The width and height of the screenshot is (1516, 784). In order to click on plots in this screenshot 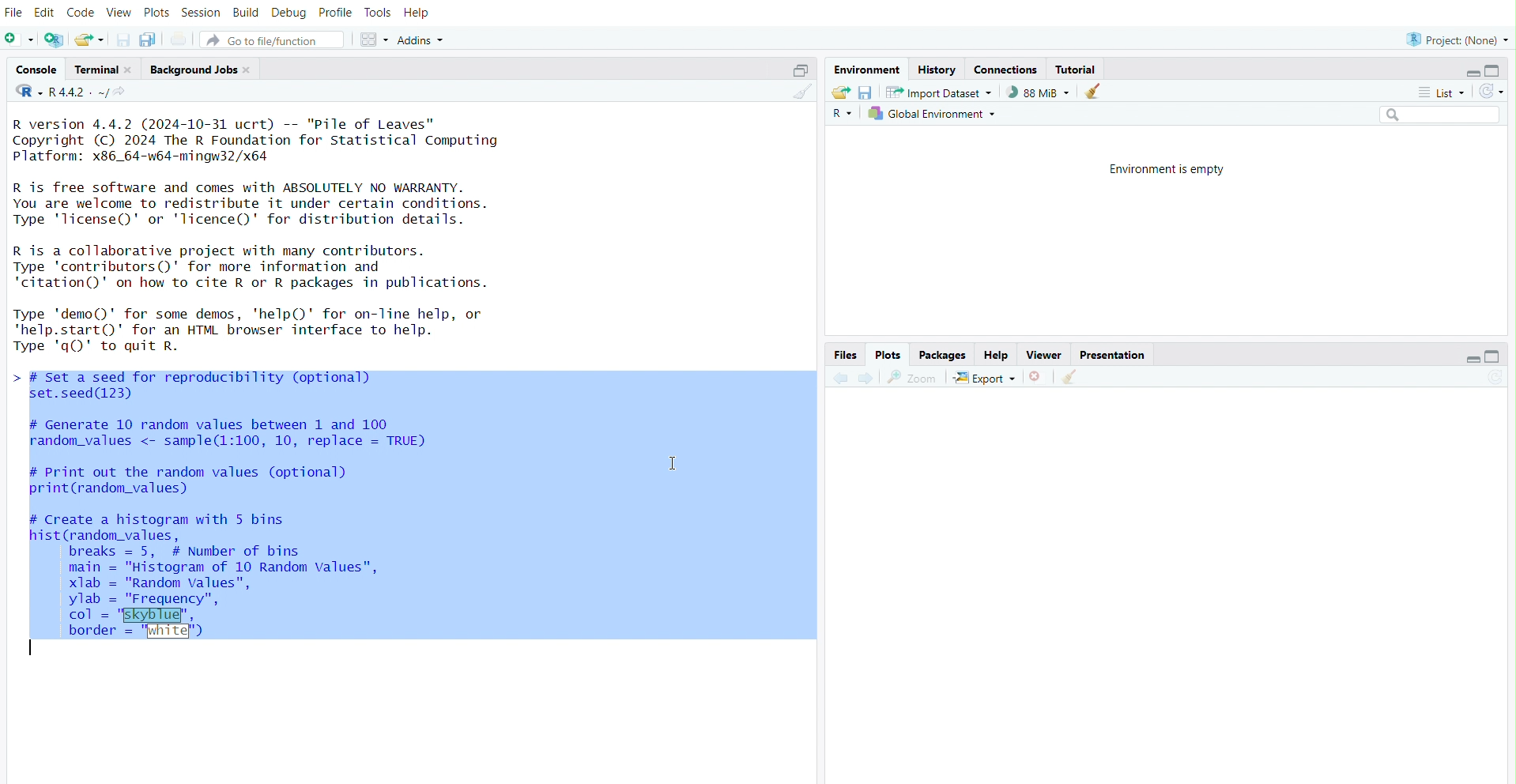, I will do `click(156, 10)`.